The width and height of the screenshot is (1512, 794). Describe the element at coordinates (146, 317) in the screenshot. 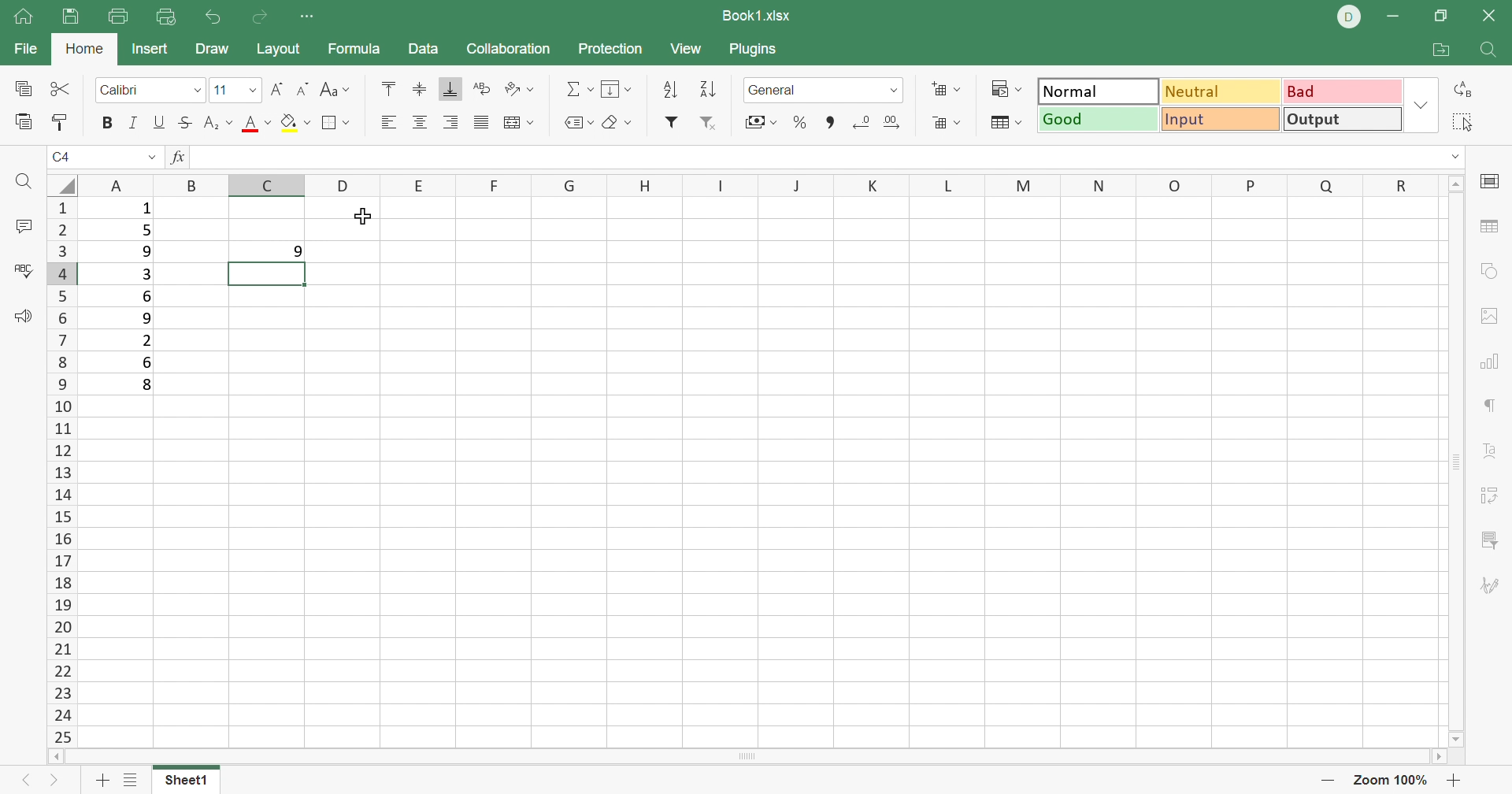

I see `9` at that location.